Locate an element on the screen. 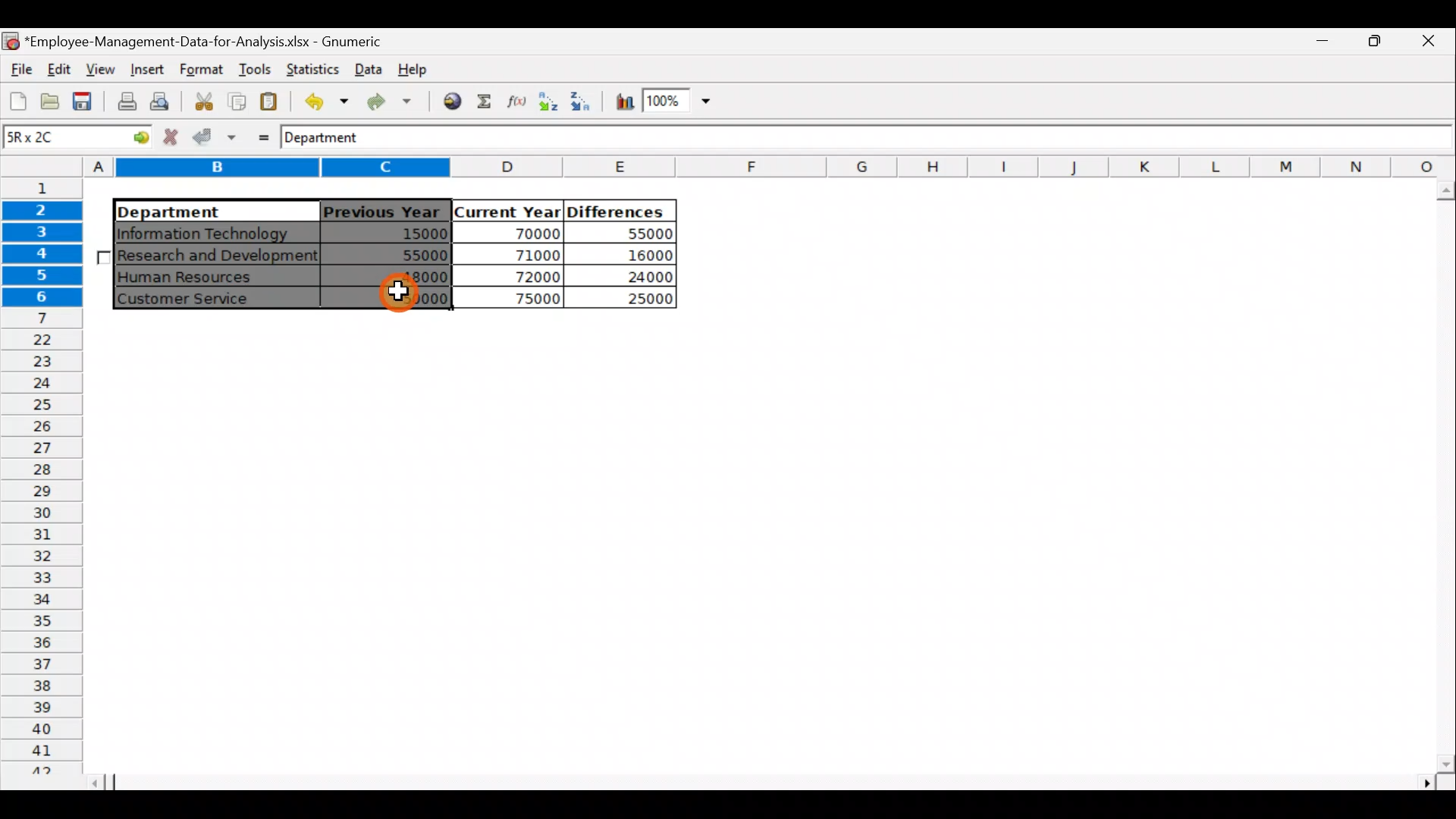  Help is located at coordinates (416, 73).